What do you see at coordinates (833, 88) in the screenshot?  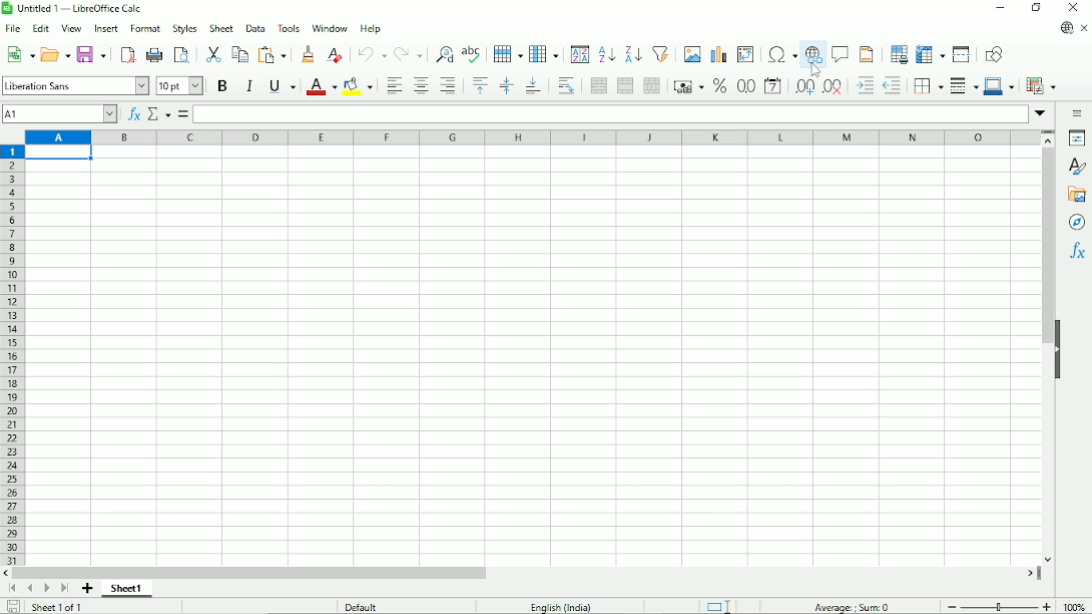 I see `Delete decimal place` at bounding box center [833, 88].